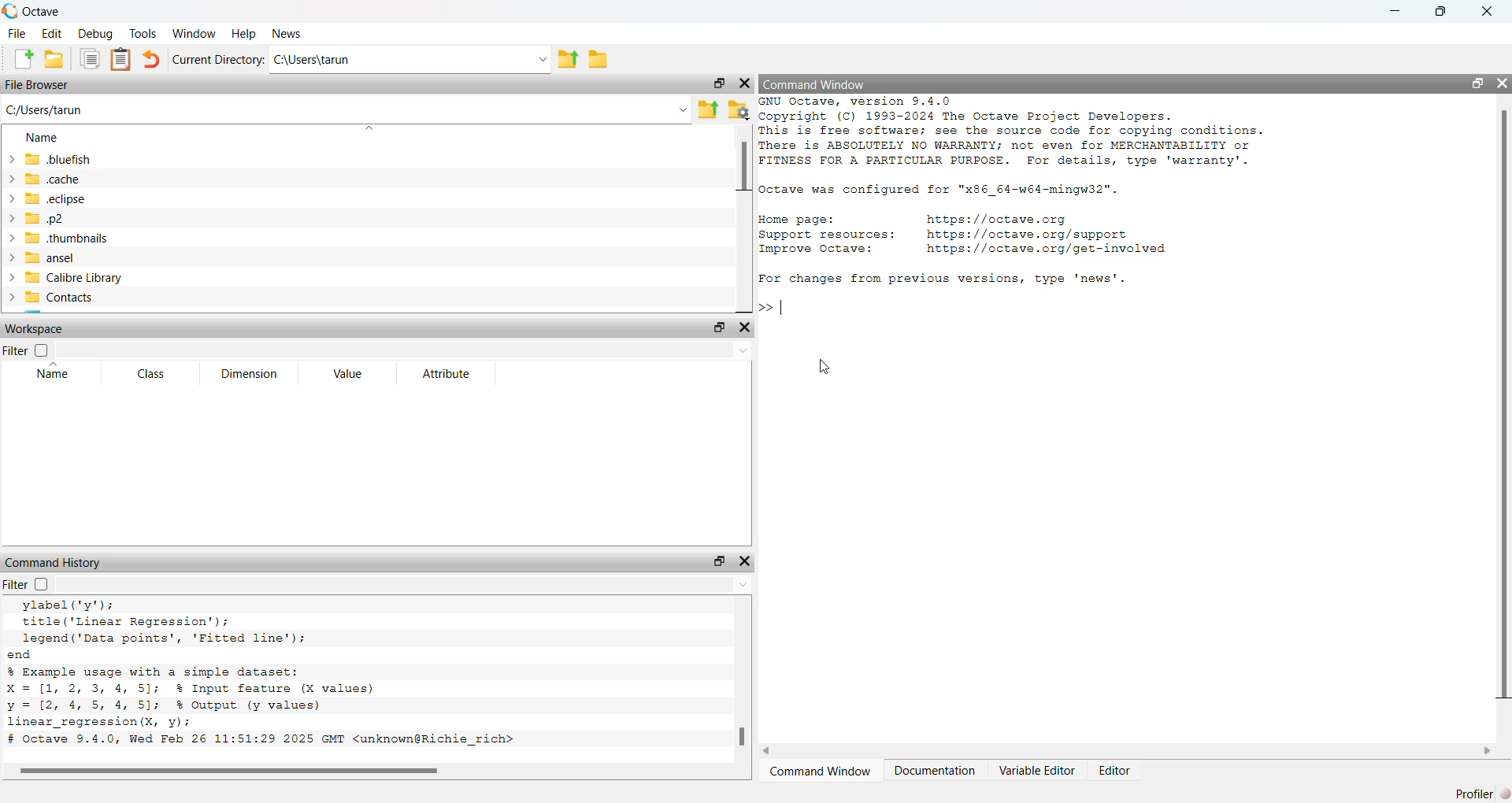 This screenshot has height=803, width=1512. What do you see at coordinates (1038, 770) in the screenshot?
I see `variable editor` at bounding box center [1038, 770].